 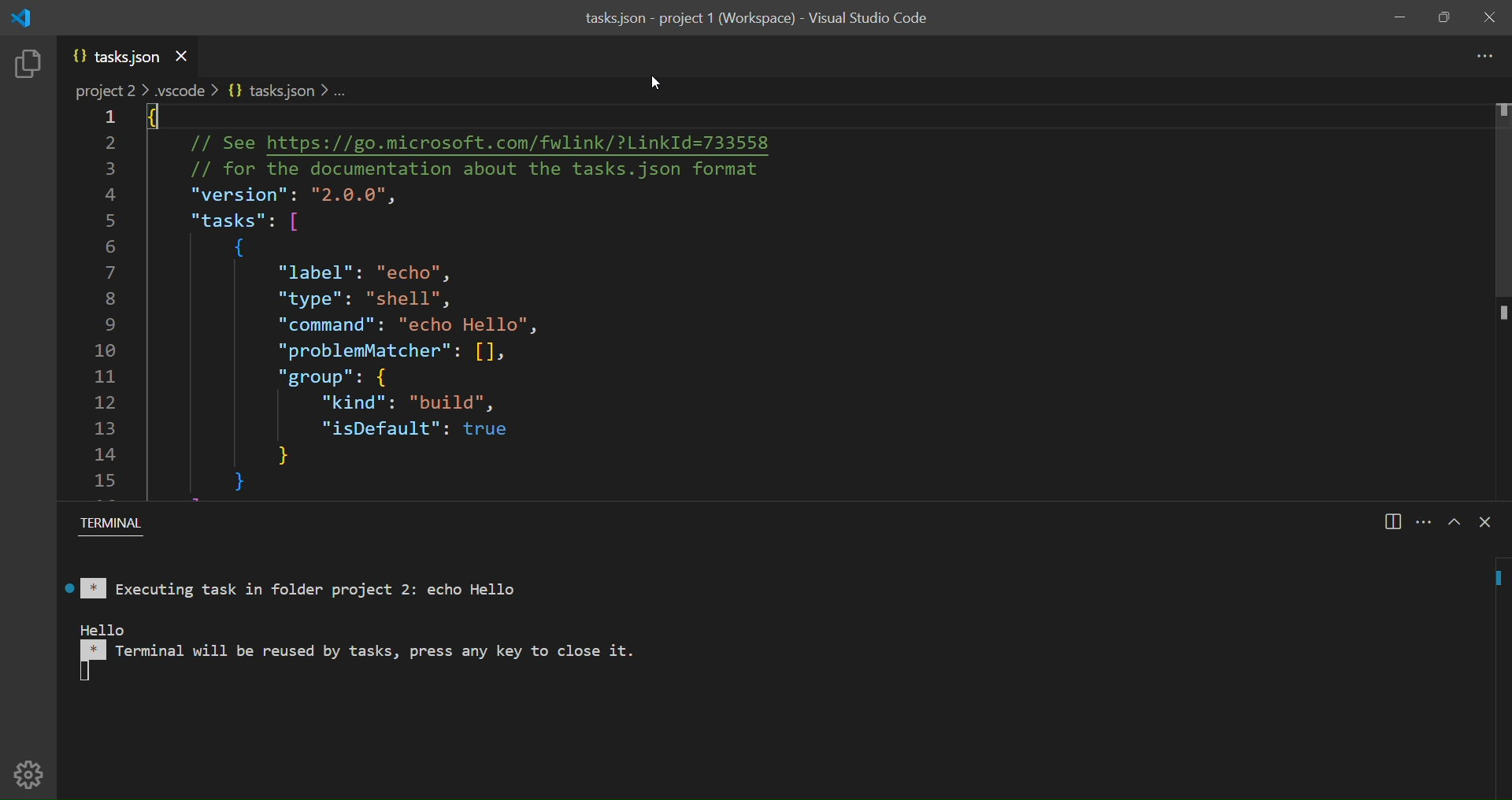 What do you see at coordinates (747, 22) in the screenshot?
I see `tasks.json - project 1 (Workspace) - Visual Studio Code` at bounding box center [747, 22].